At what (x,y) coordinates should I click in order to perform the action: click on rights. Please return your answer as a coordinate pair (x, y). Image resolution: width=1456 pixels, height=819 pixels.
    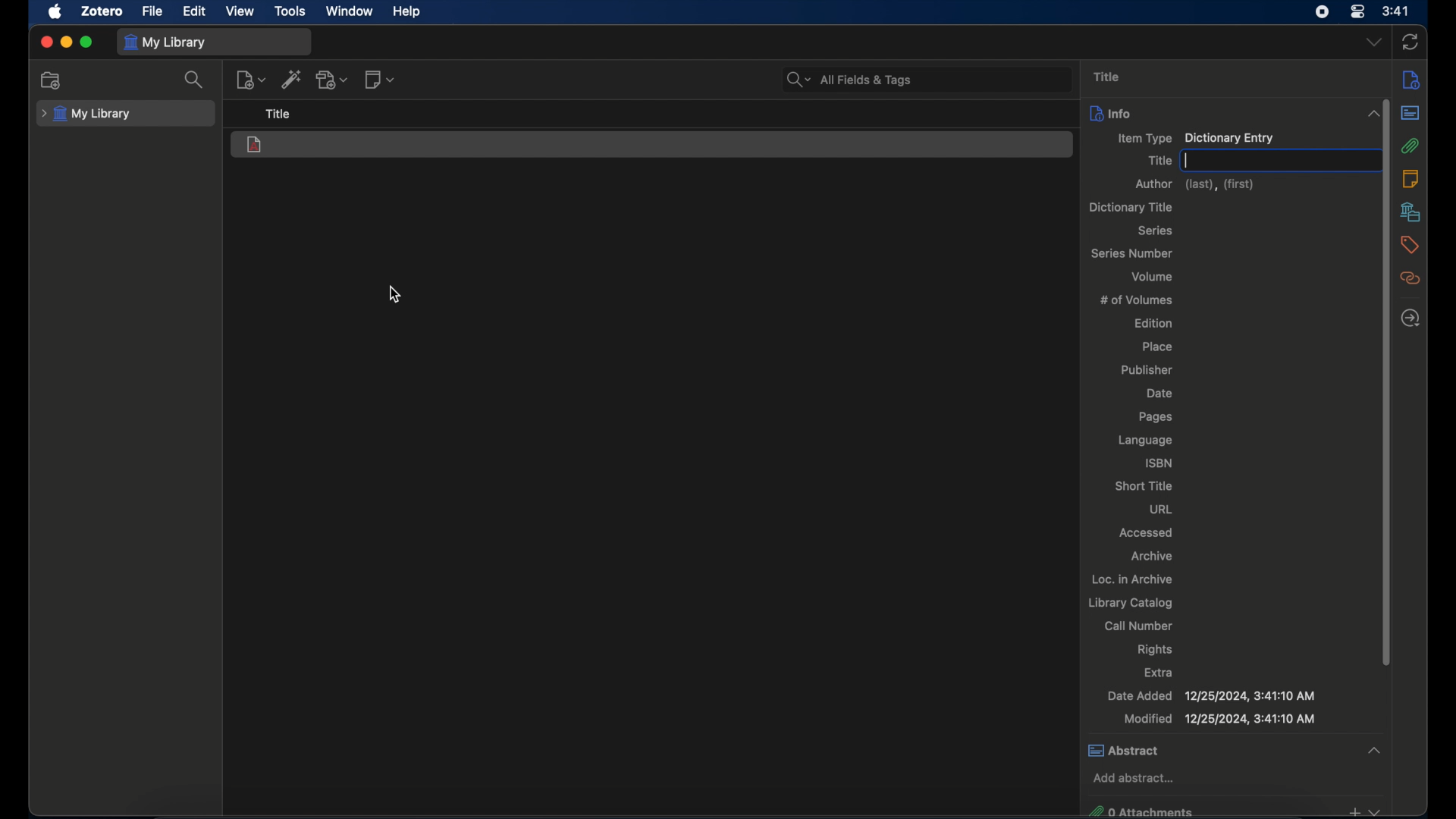
    Looking at the image, I should click on (1155, 650).